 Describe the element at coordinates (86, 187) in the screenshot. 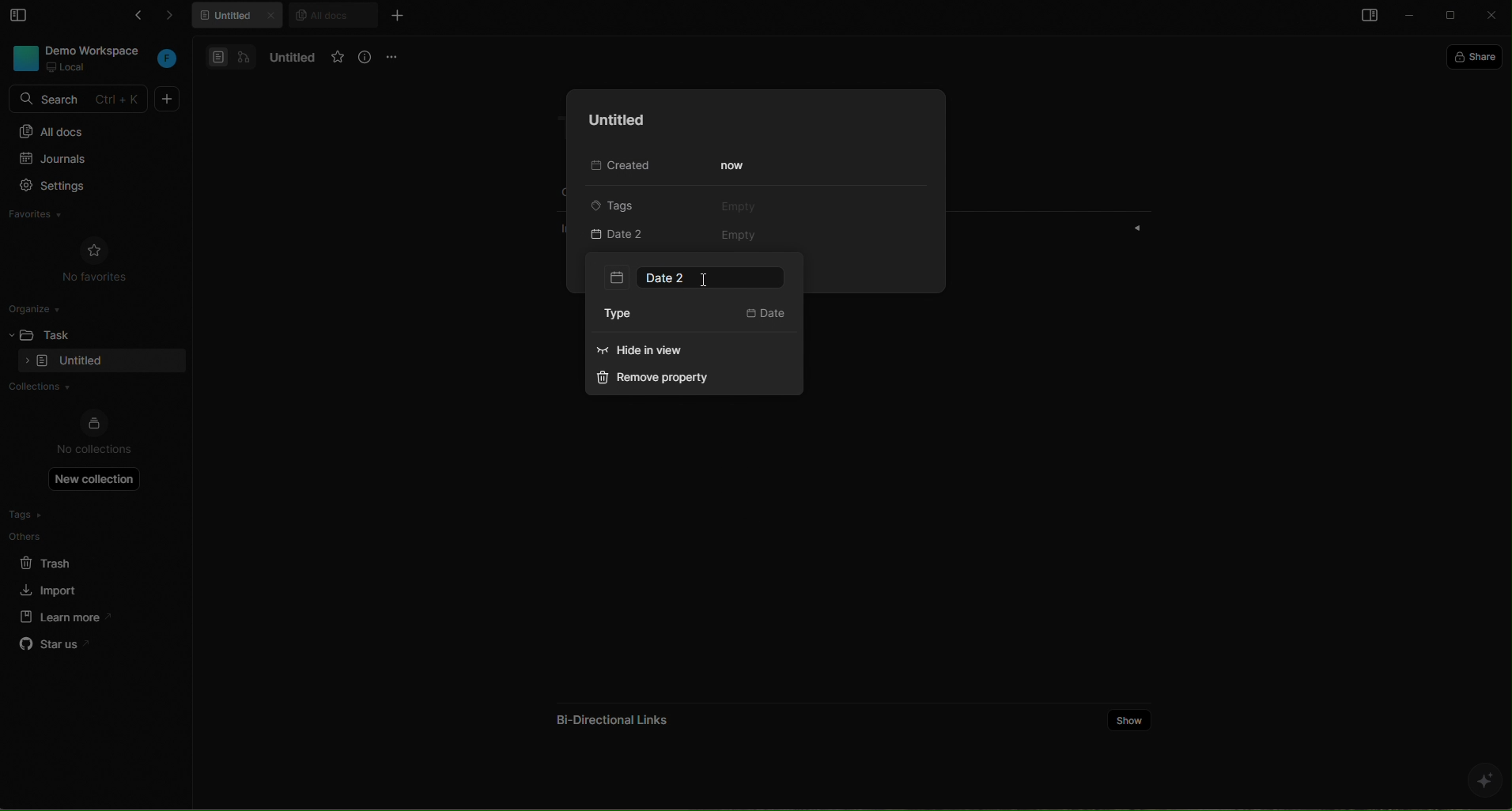

I see `settings` at that location.